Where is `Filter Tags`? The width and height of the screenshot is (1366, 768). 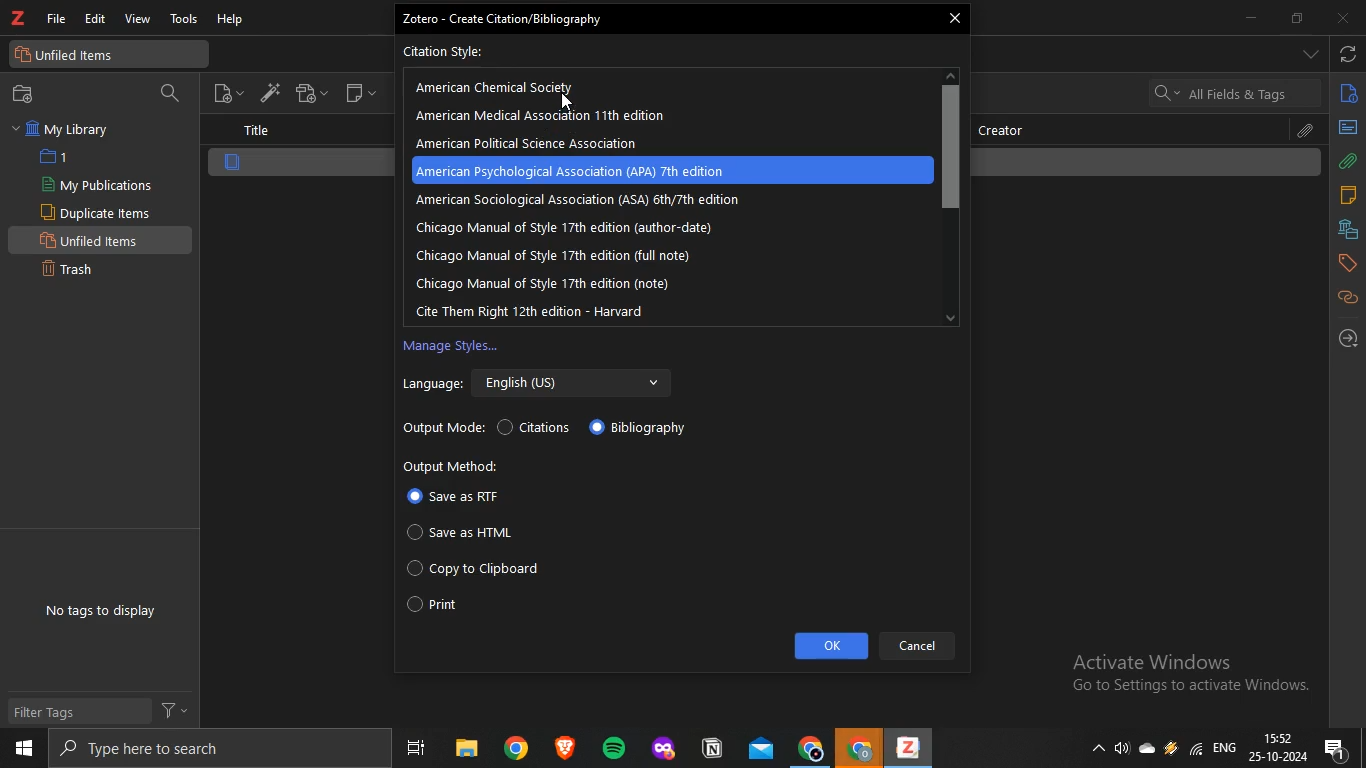 Filter Tags is located at coordinates (78, 712).